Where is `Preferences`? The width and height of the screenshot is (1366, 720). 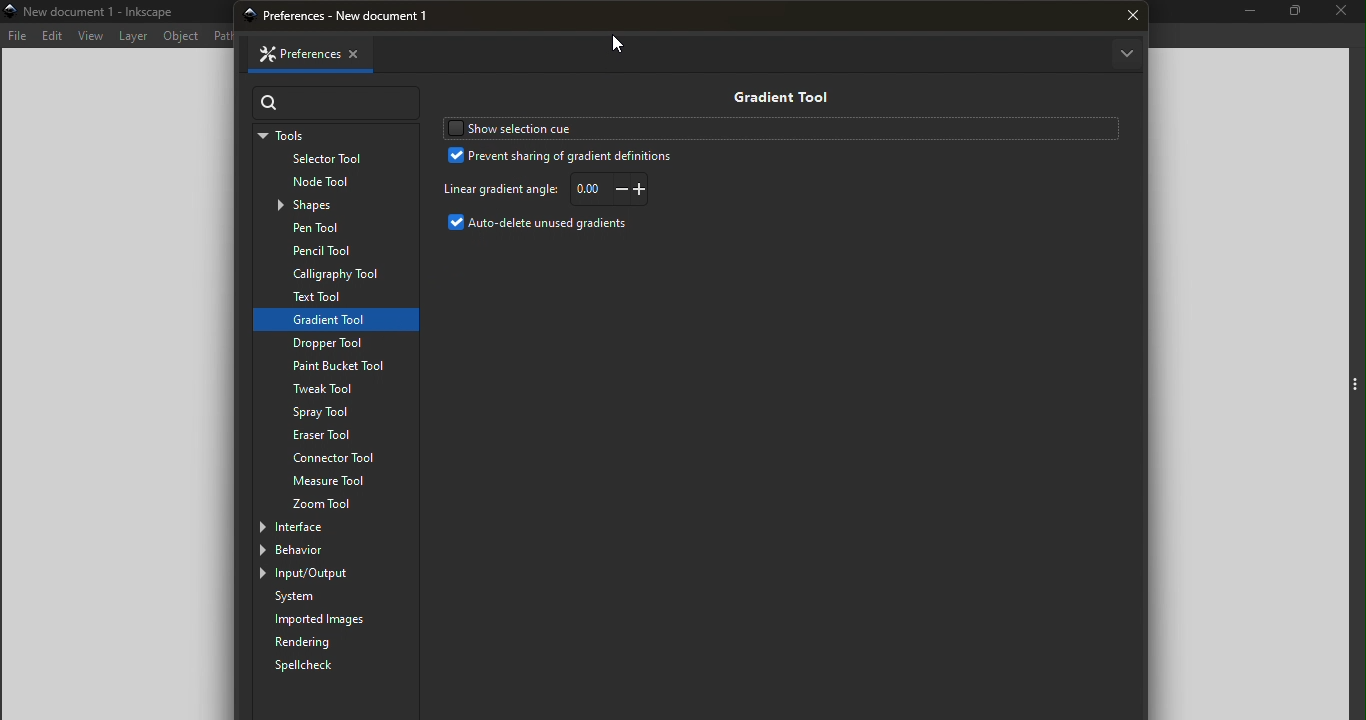 Preferences is located at coordinates (291, 54).